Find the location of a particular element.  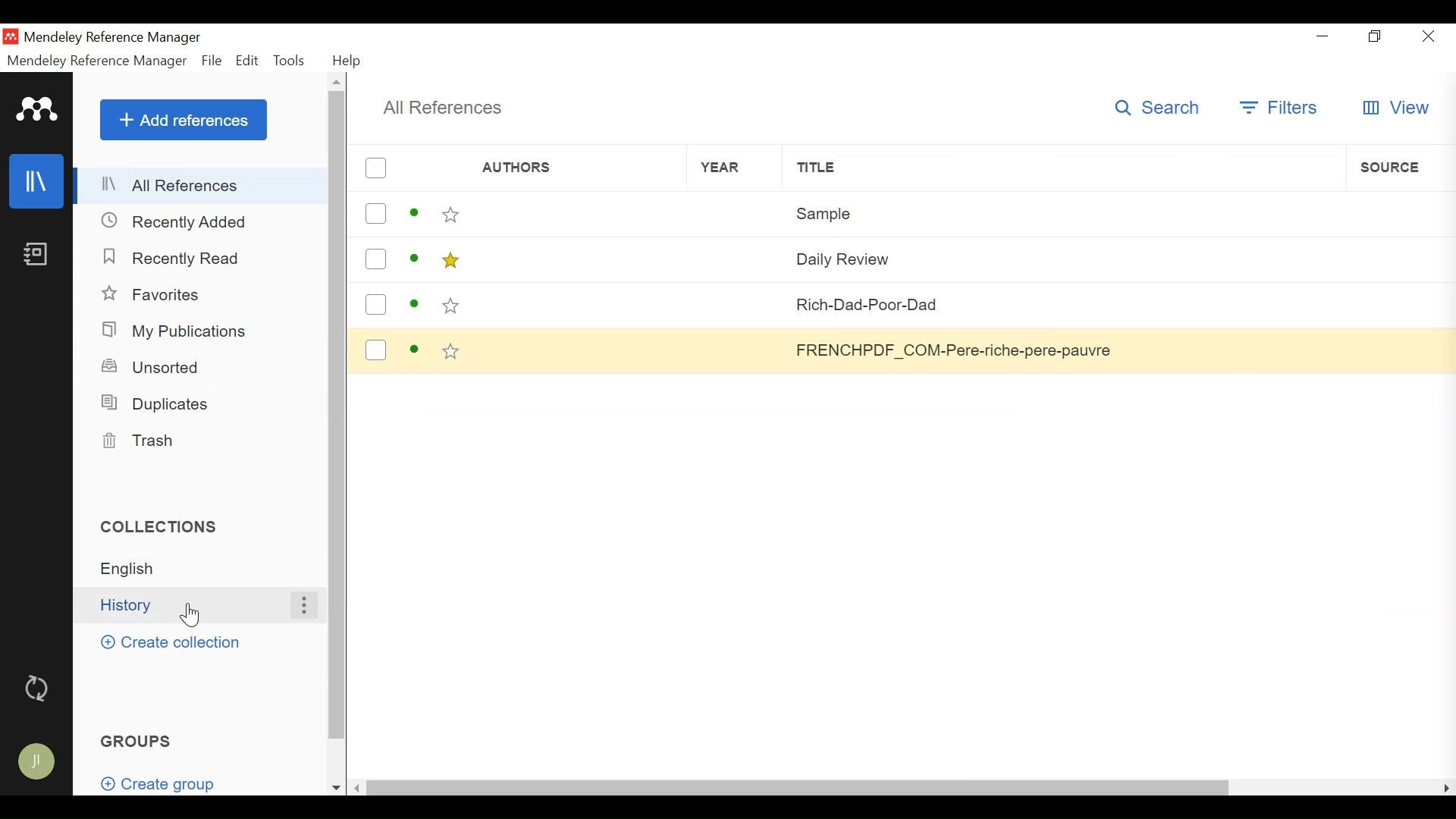

Source is located at coordinates (1395, 350).